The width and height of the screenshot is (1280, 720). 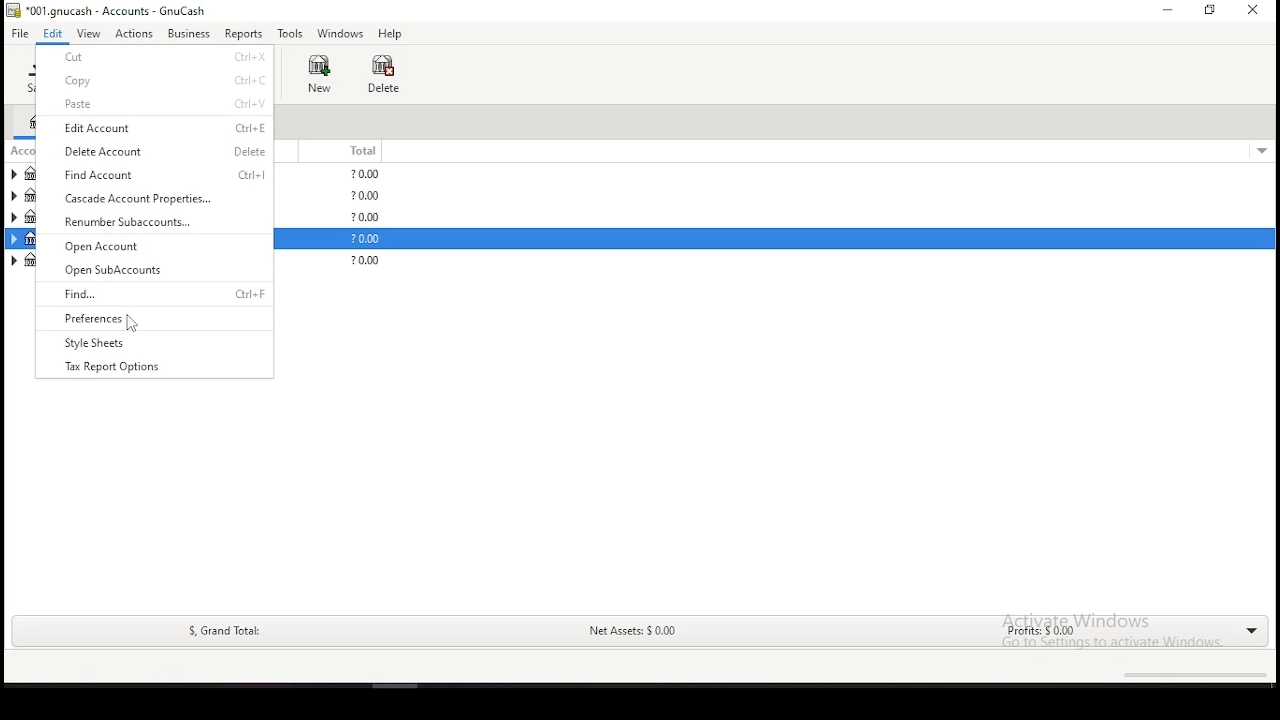 I want to click on delete, so click(x=384, y=74).